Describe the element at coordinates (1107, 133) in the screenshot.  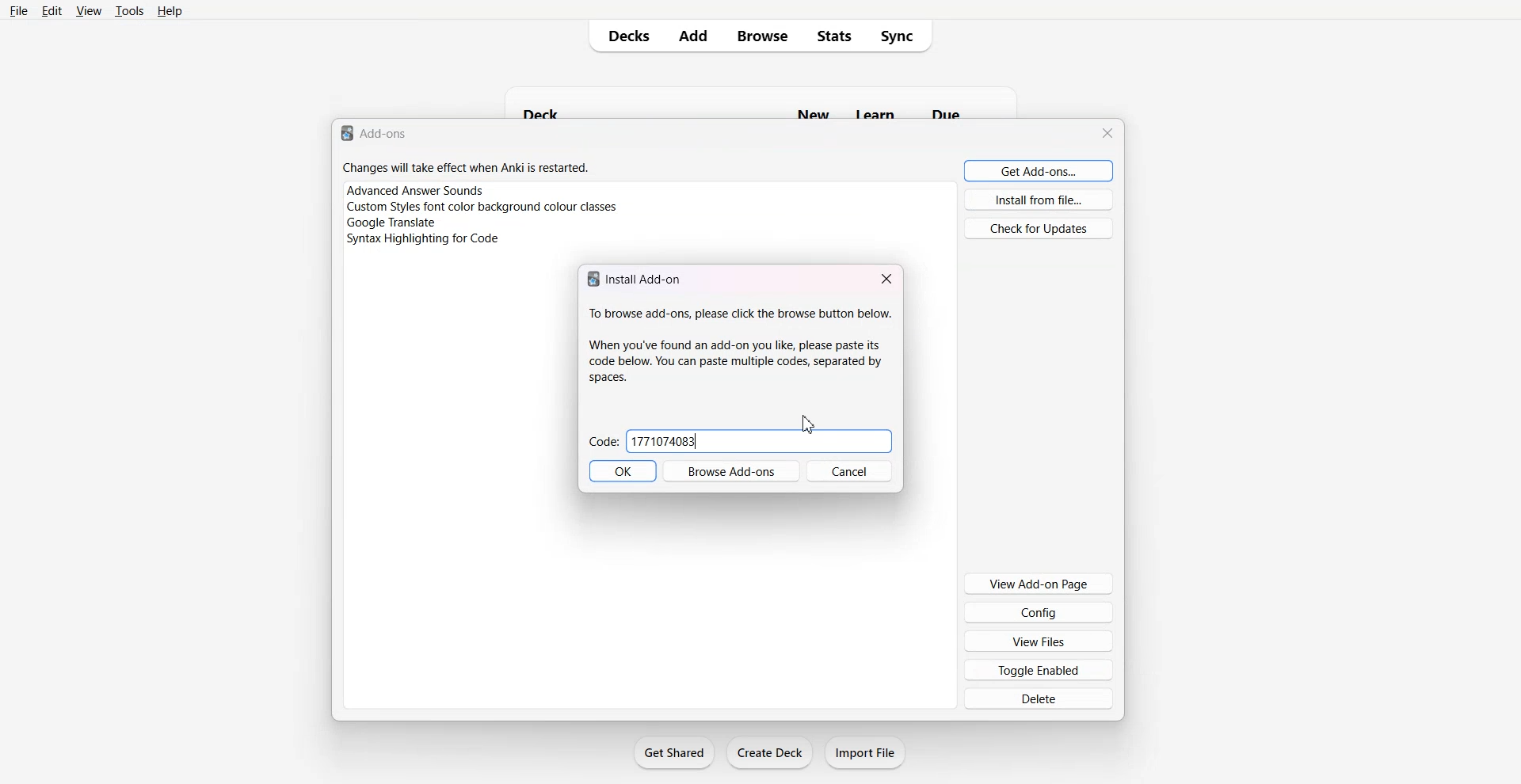
I see `Close` at that location.